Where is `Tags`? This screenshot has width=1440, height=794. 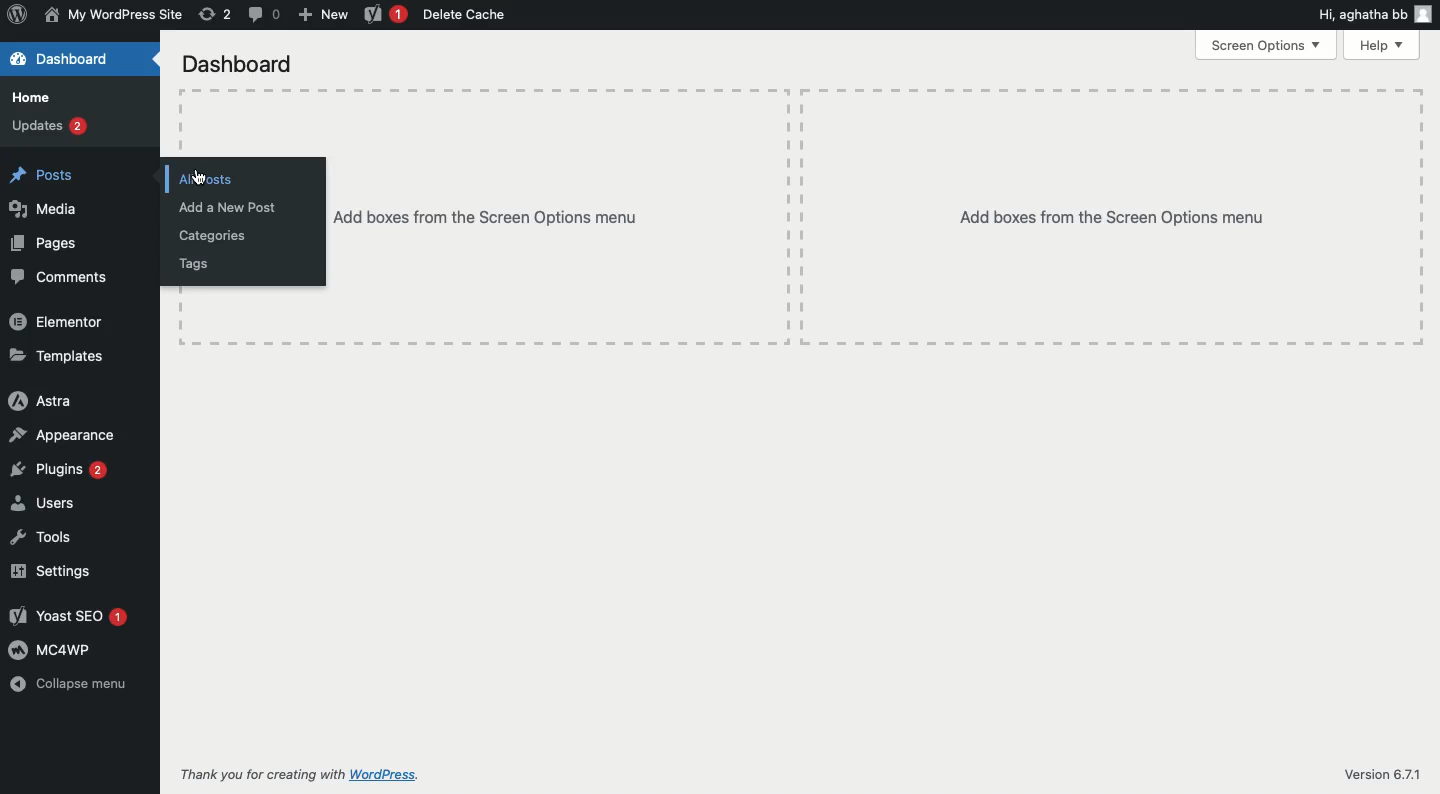
Tags is located at coordinates (194, 263).